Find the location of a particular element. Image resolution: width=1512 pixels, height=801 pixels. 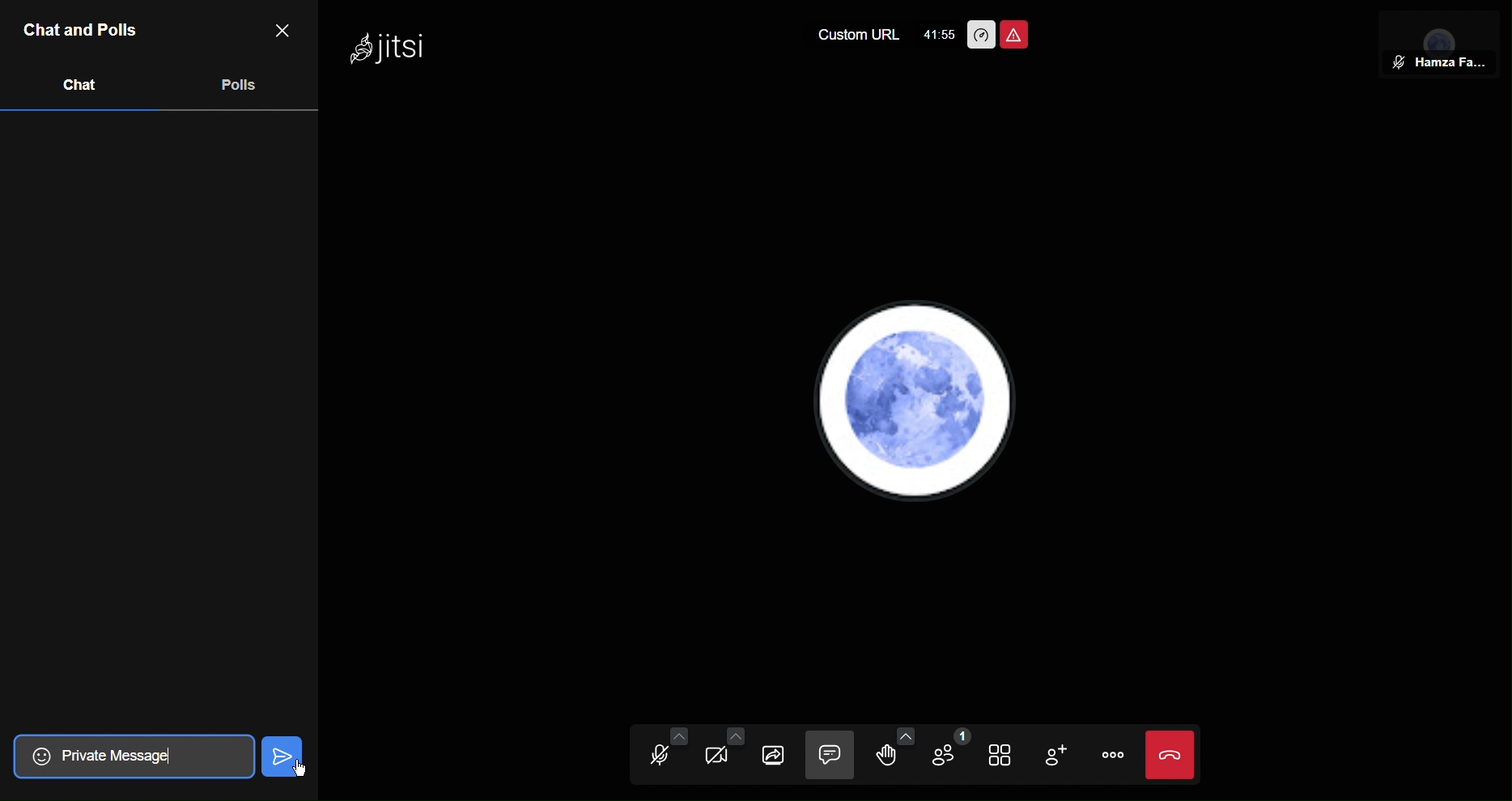

Add Participant is located at coordinates (1066, 757).